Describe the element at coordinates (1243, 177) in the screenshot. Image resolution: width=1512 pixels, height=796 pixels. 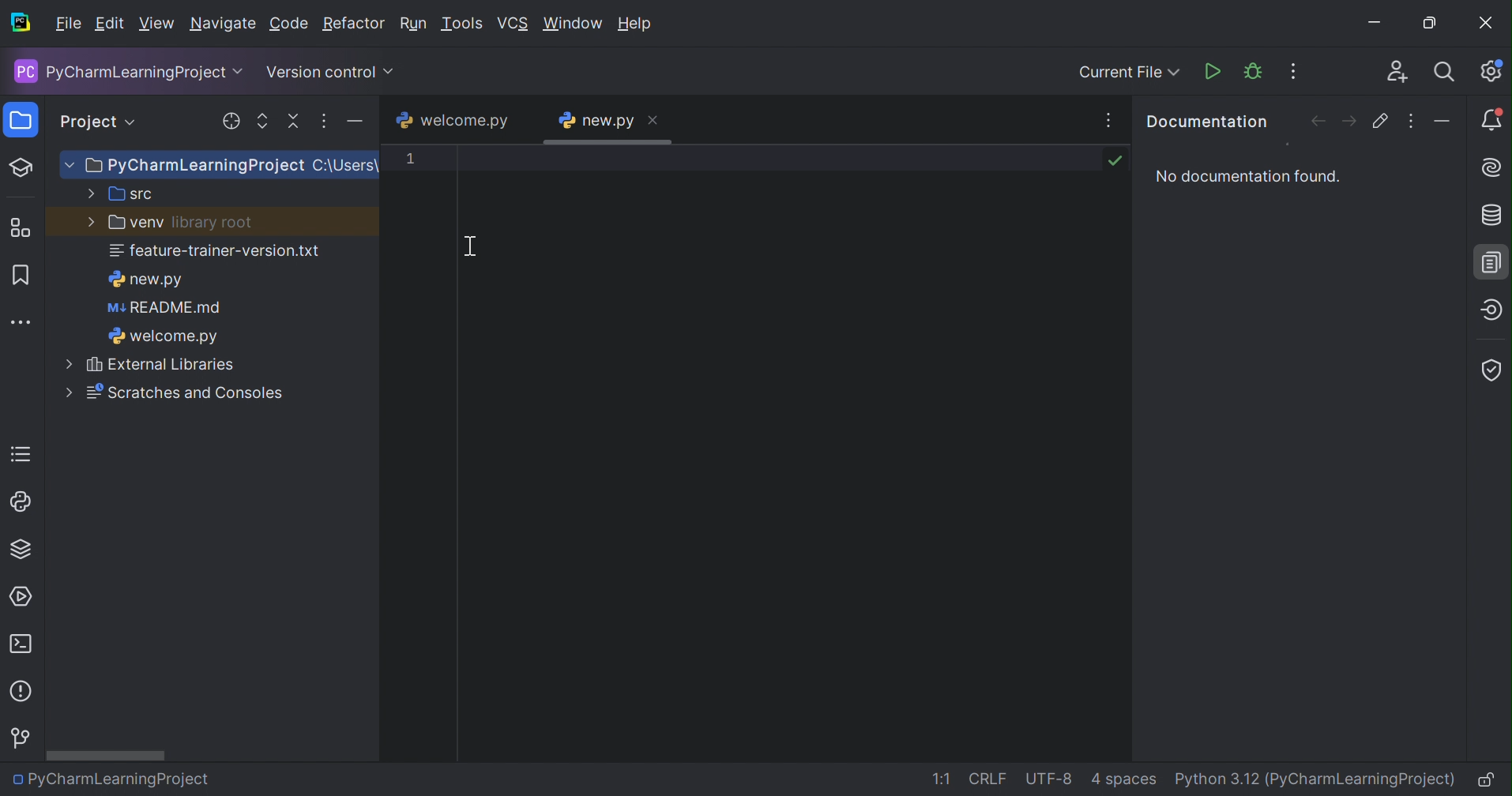
I see `No documentation found` at that location.